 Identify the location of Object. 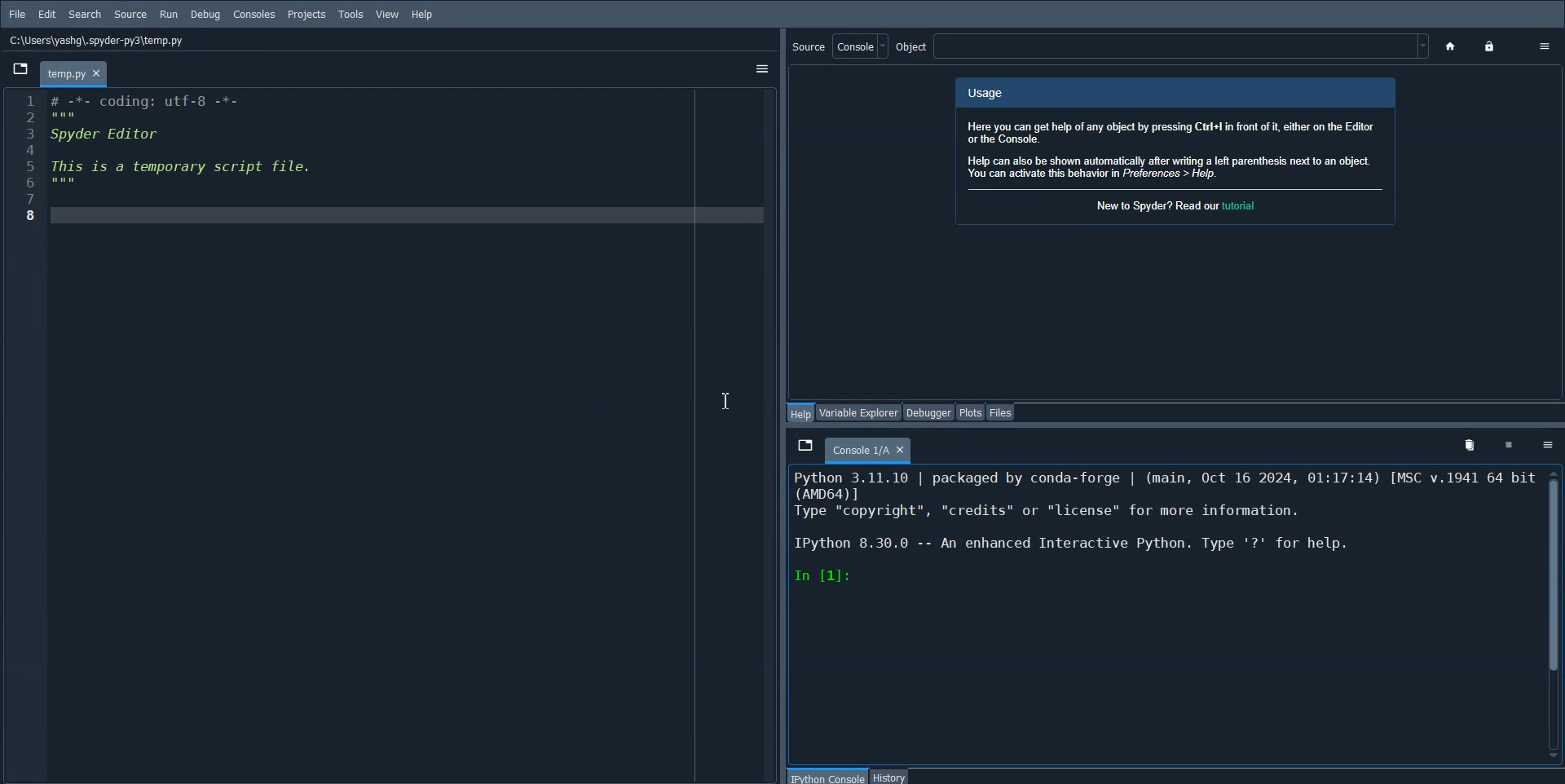
(1165, 46).